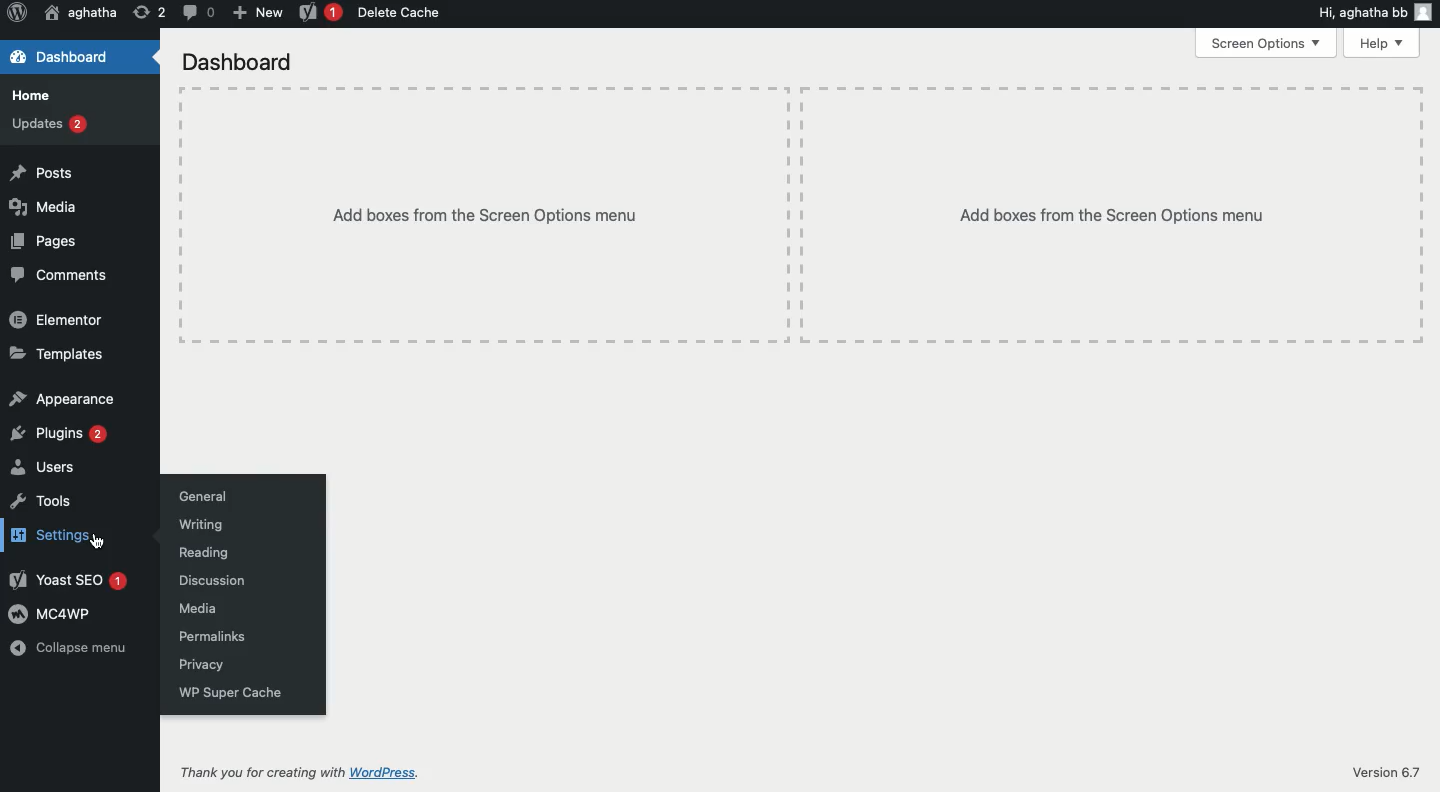 The image size is (1440, 792). Describe the element at coordinates (43, 208) in the screenshot. I see `Media` at that location.